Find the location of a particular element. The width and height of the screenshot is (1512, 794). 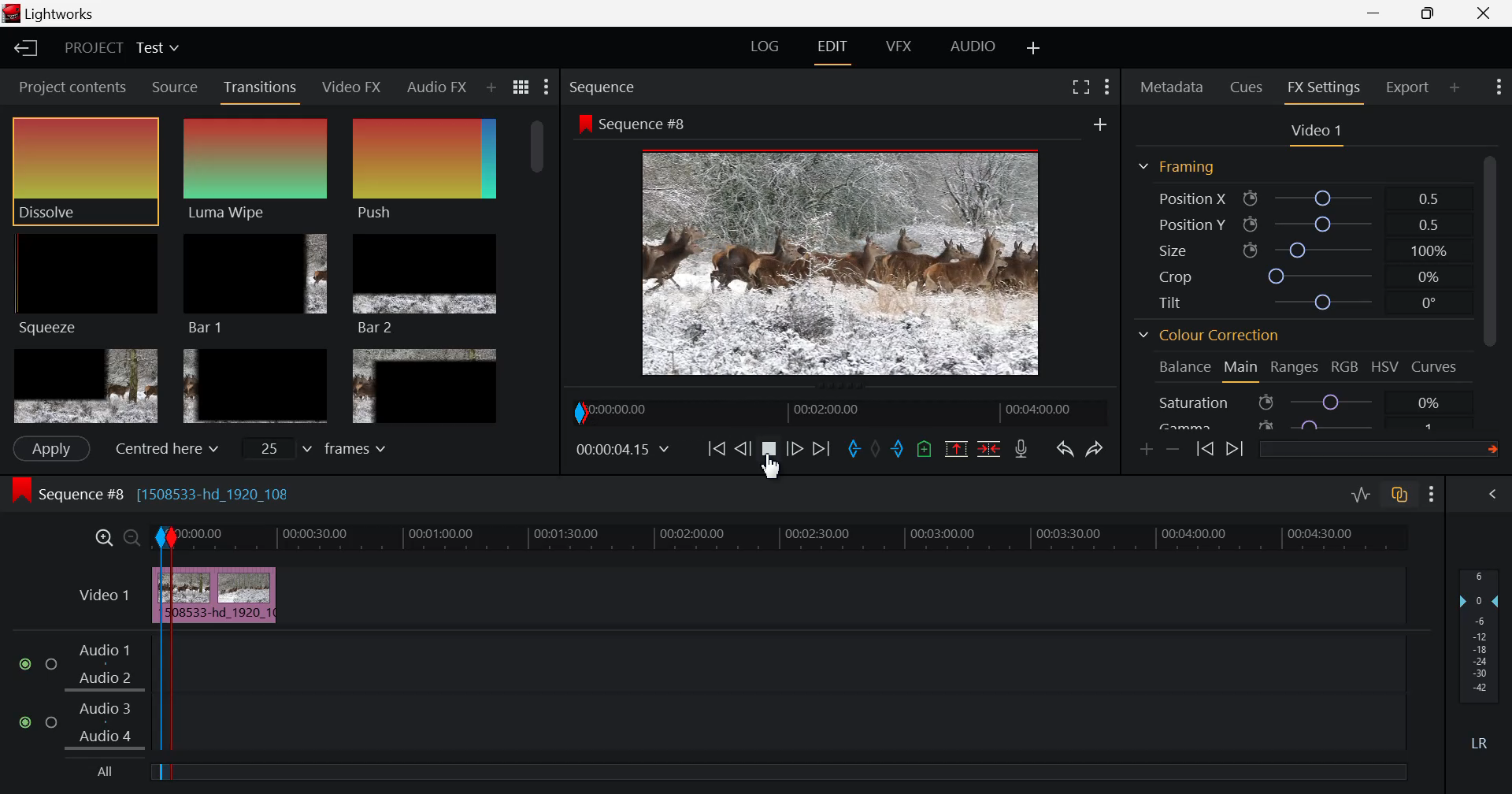

AUDIO is located at coordinates (974, 46).